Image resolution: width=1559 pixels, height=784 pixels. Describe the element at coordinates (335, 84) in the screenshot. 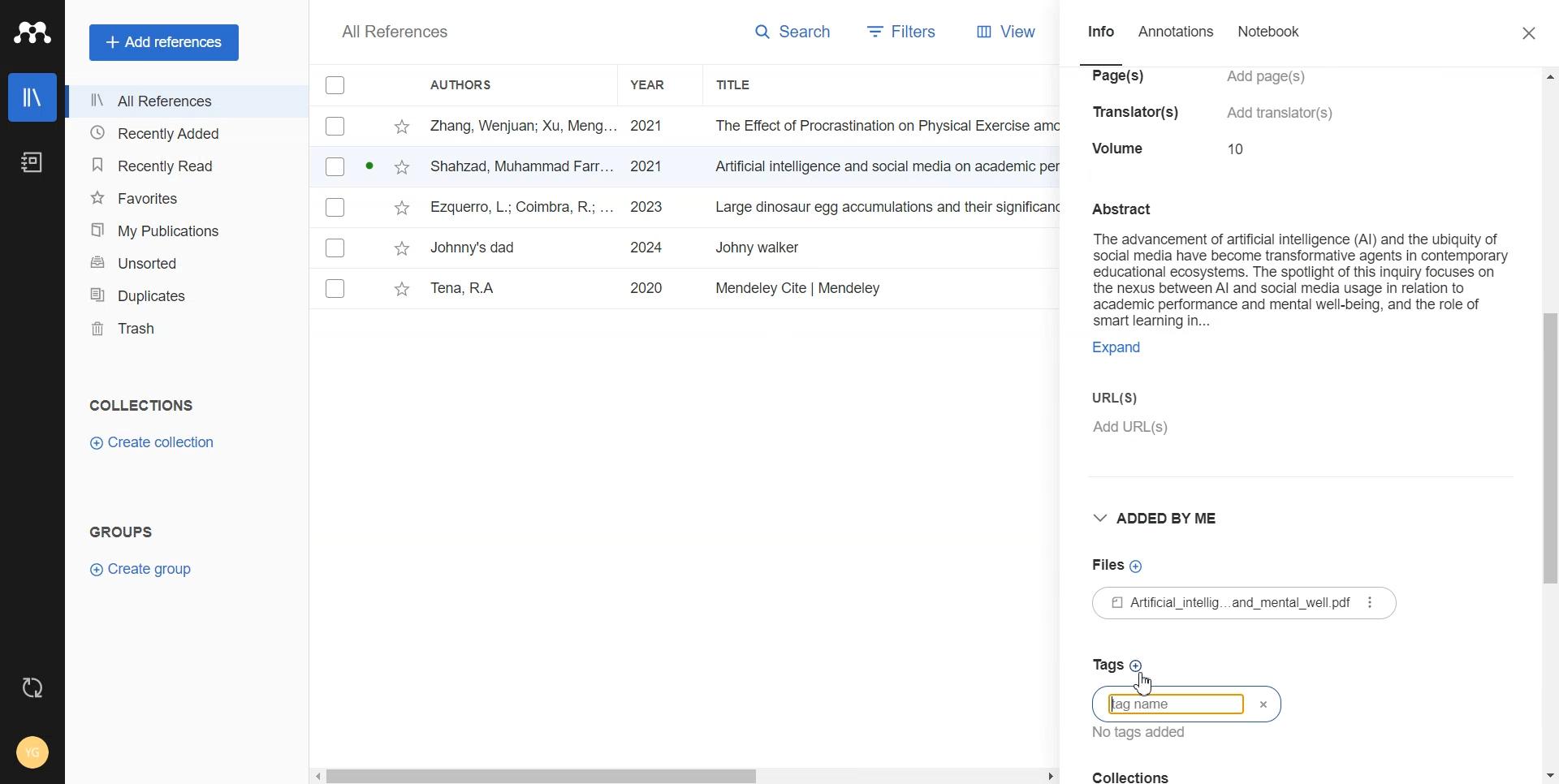

I see `Checklist` at that location.